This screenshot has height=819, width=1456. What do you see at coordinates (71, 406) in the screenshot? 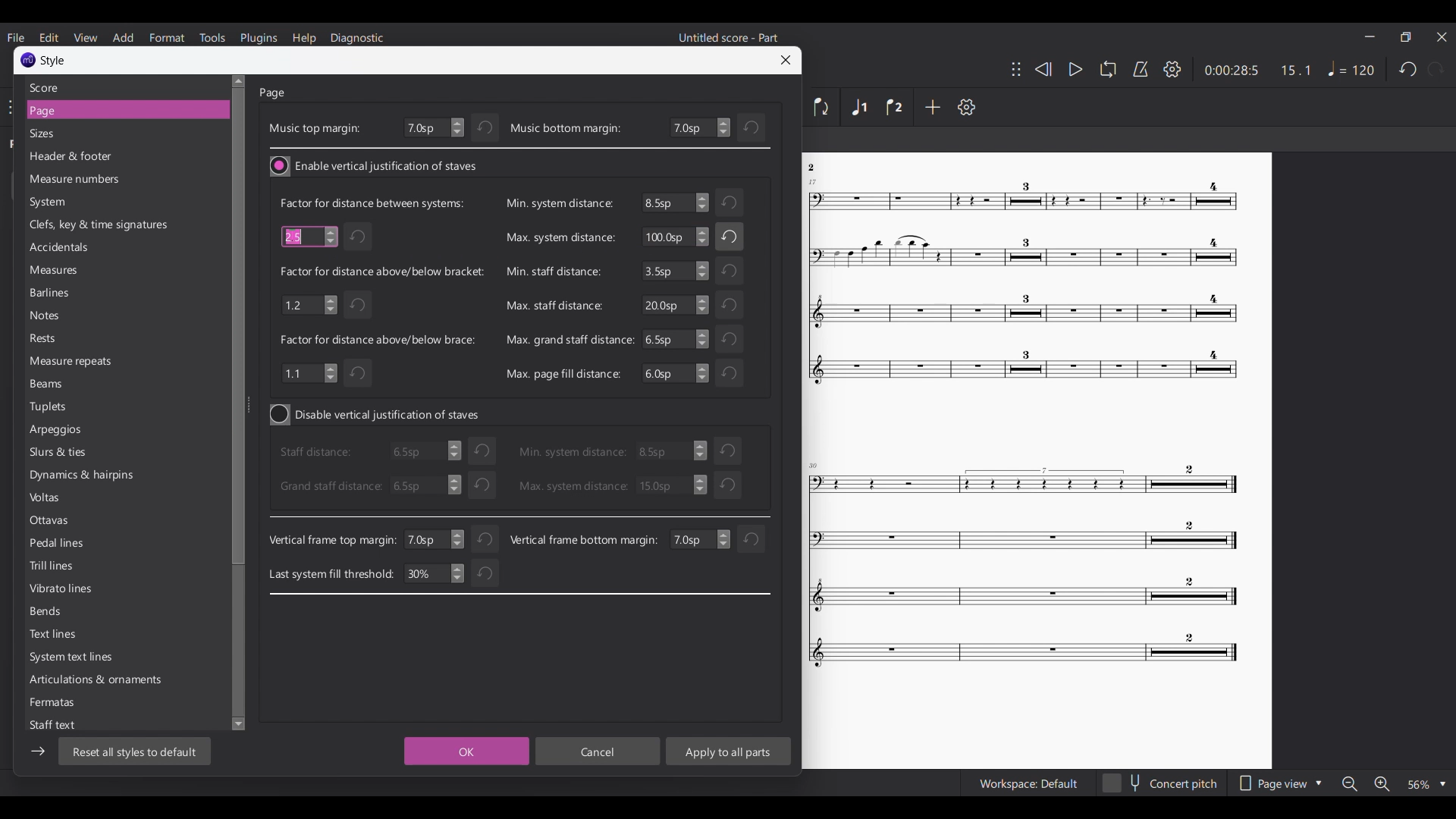
I see `Tuplets` at bounding box center [71, 406].